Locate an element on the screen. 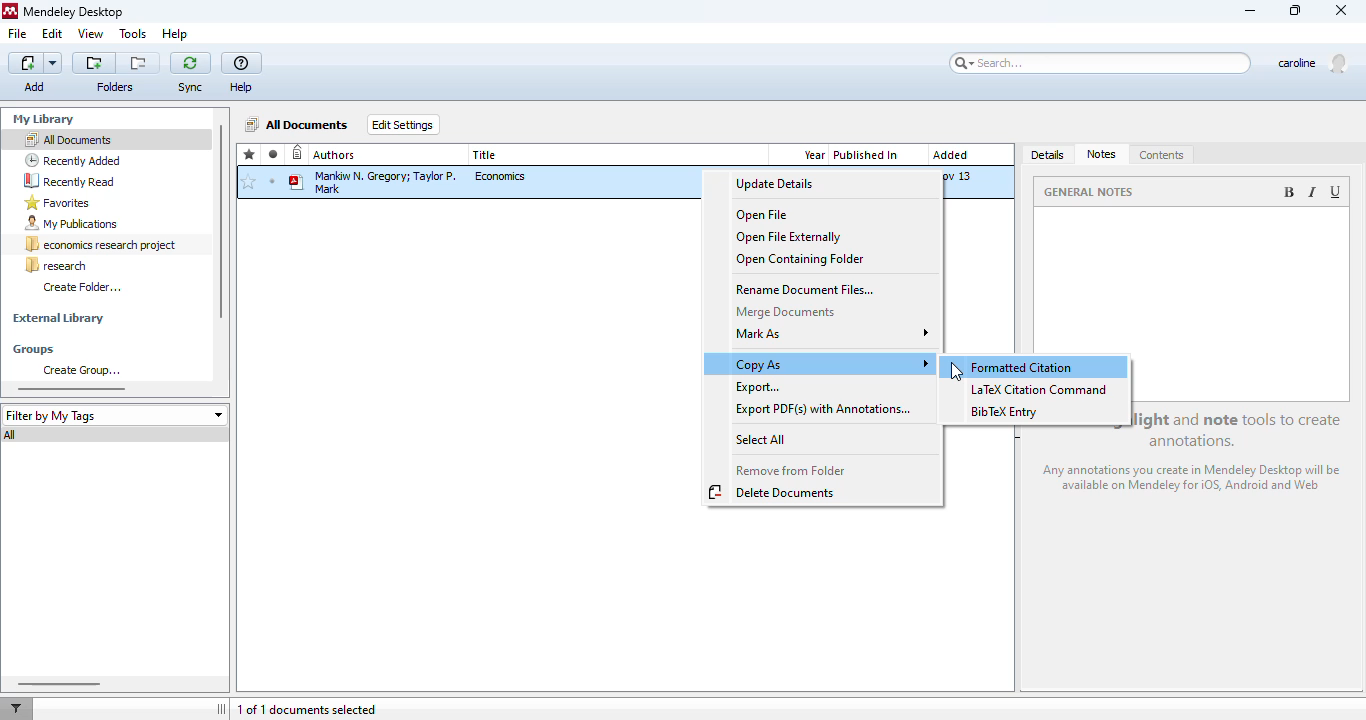 The height and width of the screenshot is (720, 1366). delete documents is located at coordinates (774, 492).